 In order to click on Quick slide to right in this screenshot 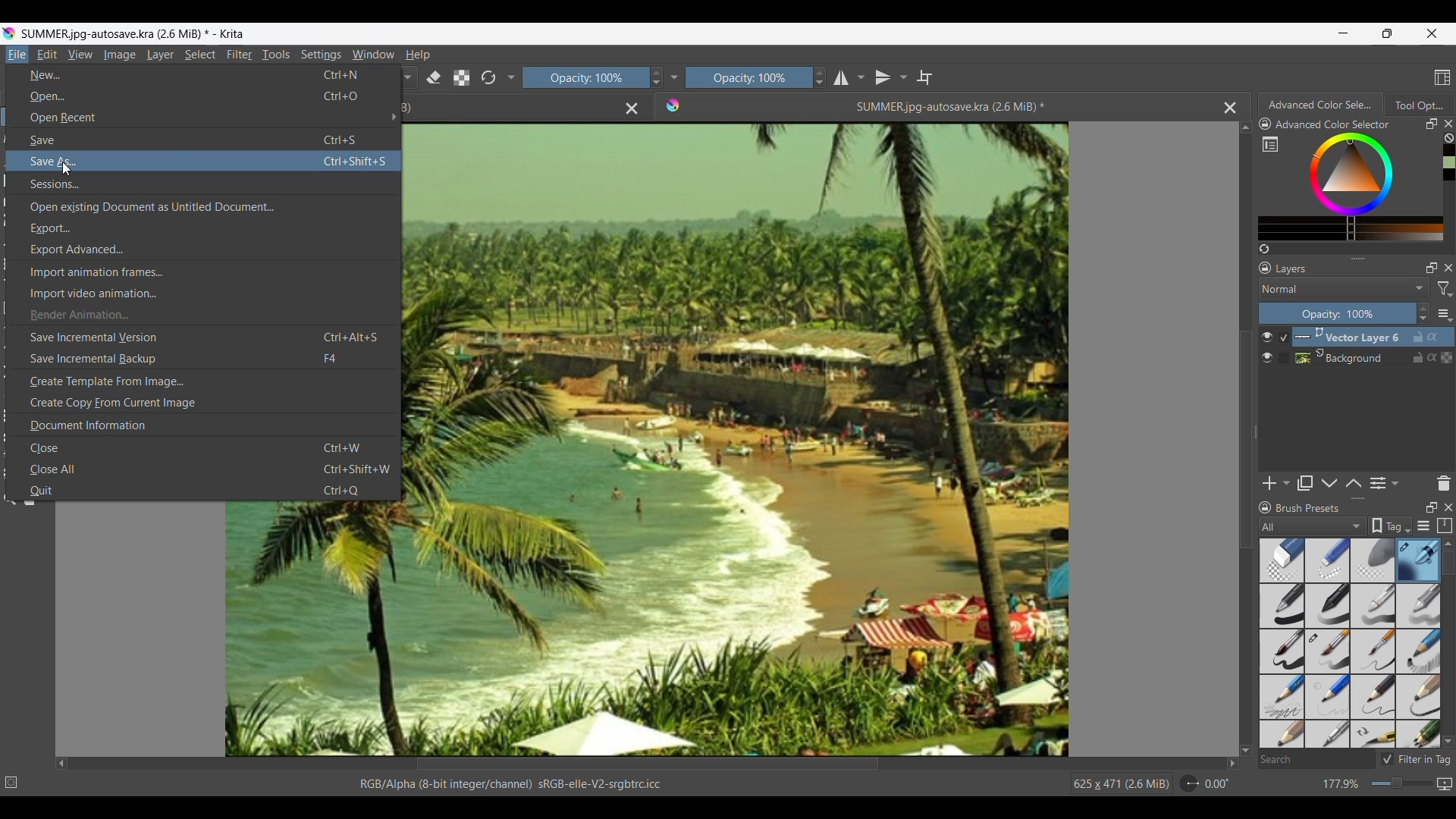, I will do `click(1232, 764)`.